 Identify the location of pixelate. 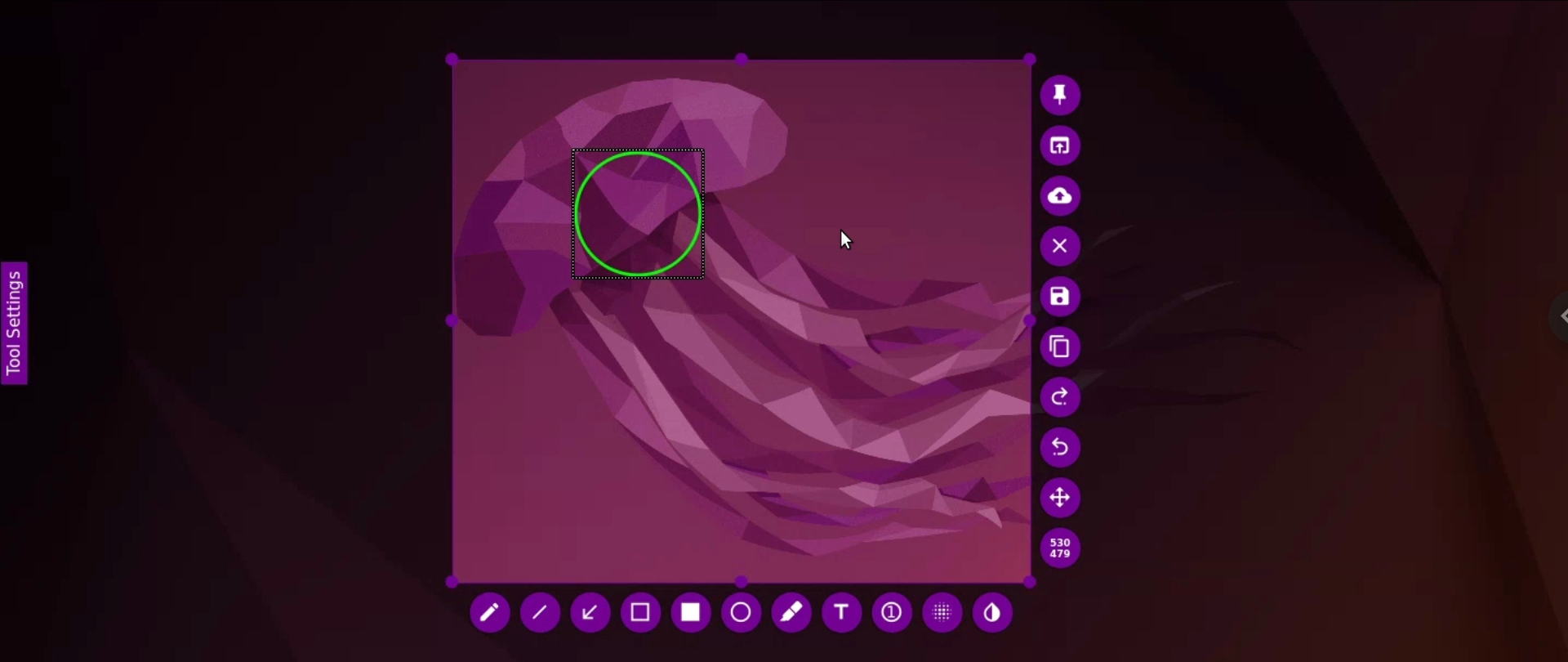
(941, 613).